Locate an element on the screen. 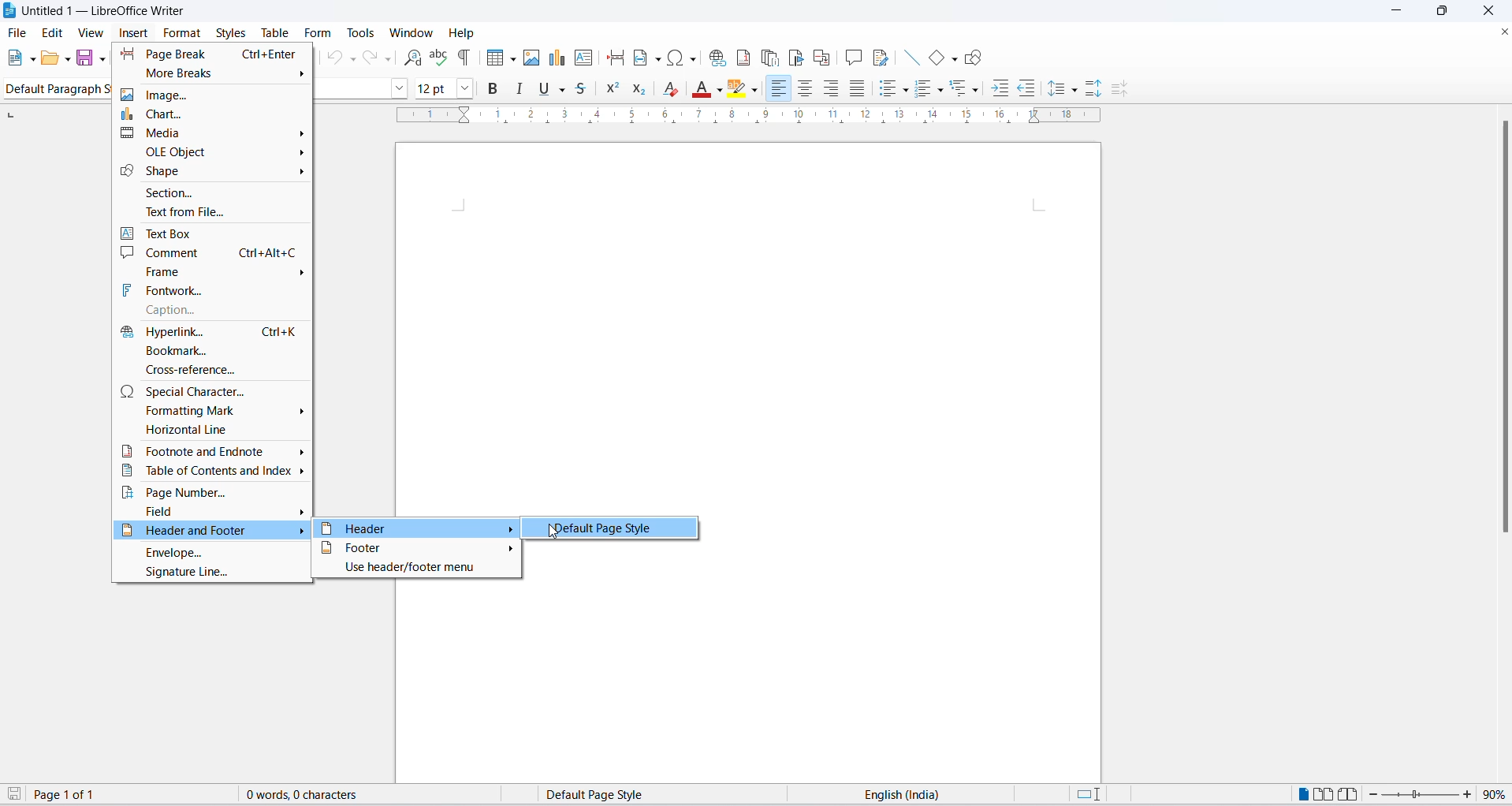 Image resolution: width=1512 pixels, height=806 pixels. insert field is located at coordinates (646, 59).